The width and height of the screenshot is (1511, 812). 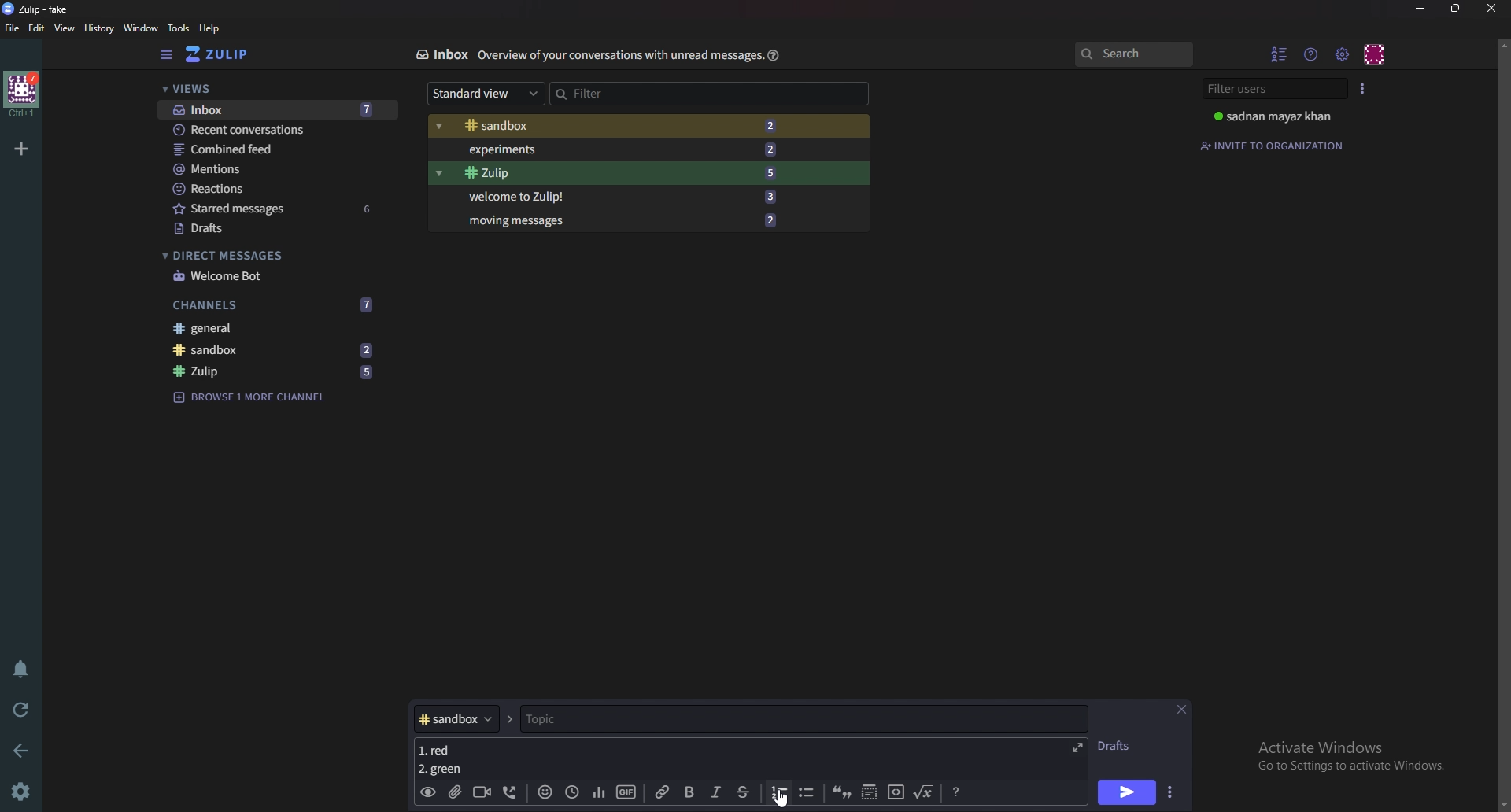 I want to click on hide User list, so click(x=1280, y=54).